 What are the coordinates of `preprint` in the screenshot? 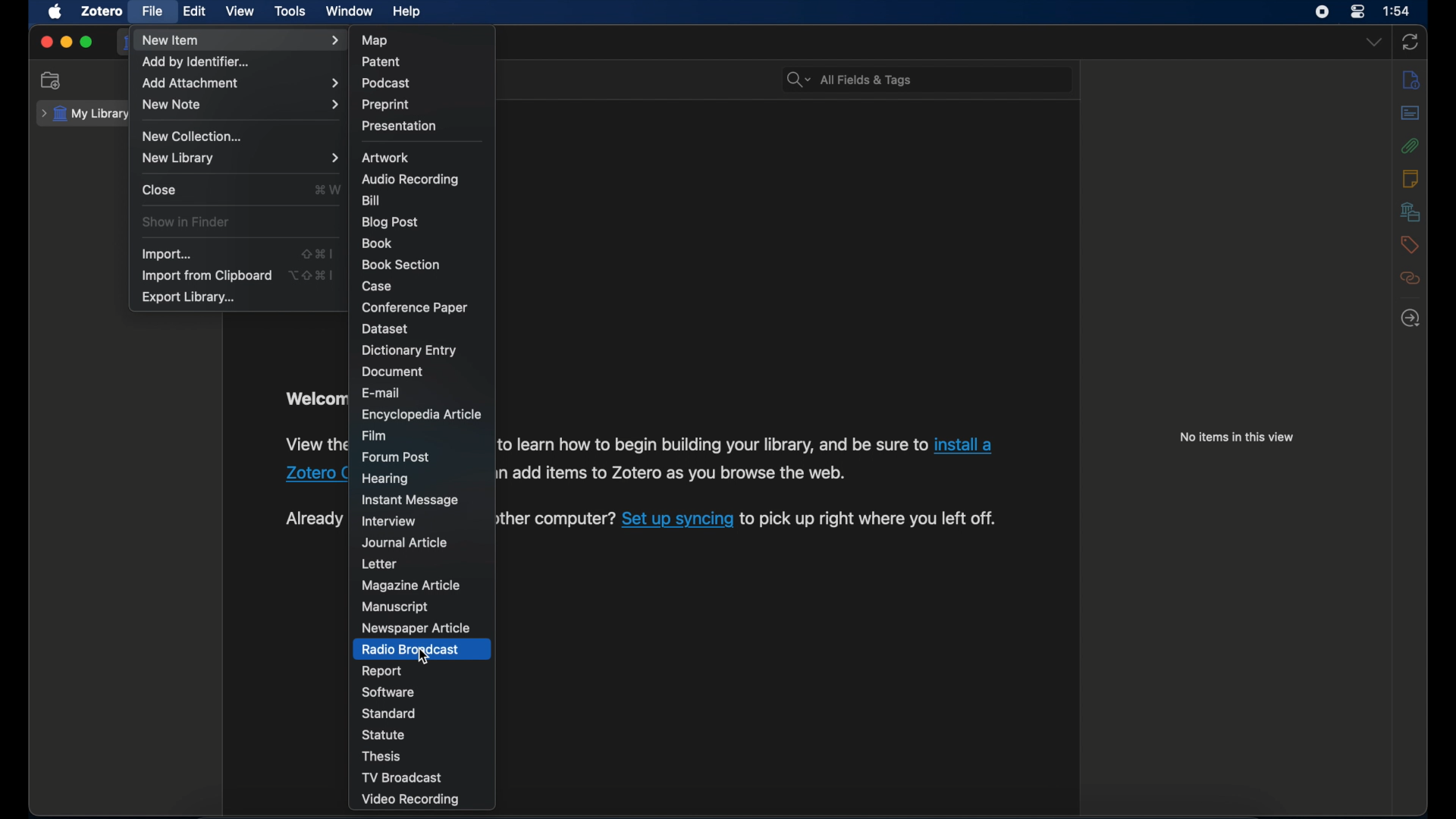 It's located at (387, 105).